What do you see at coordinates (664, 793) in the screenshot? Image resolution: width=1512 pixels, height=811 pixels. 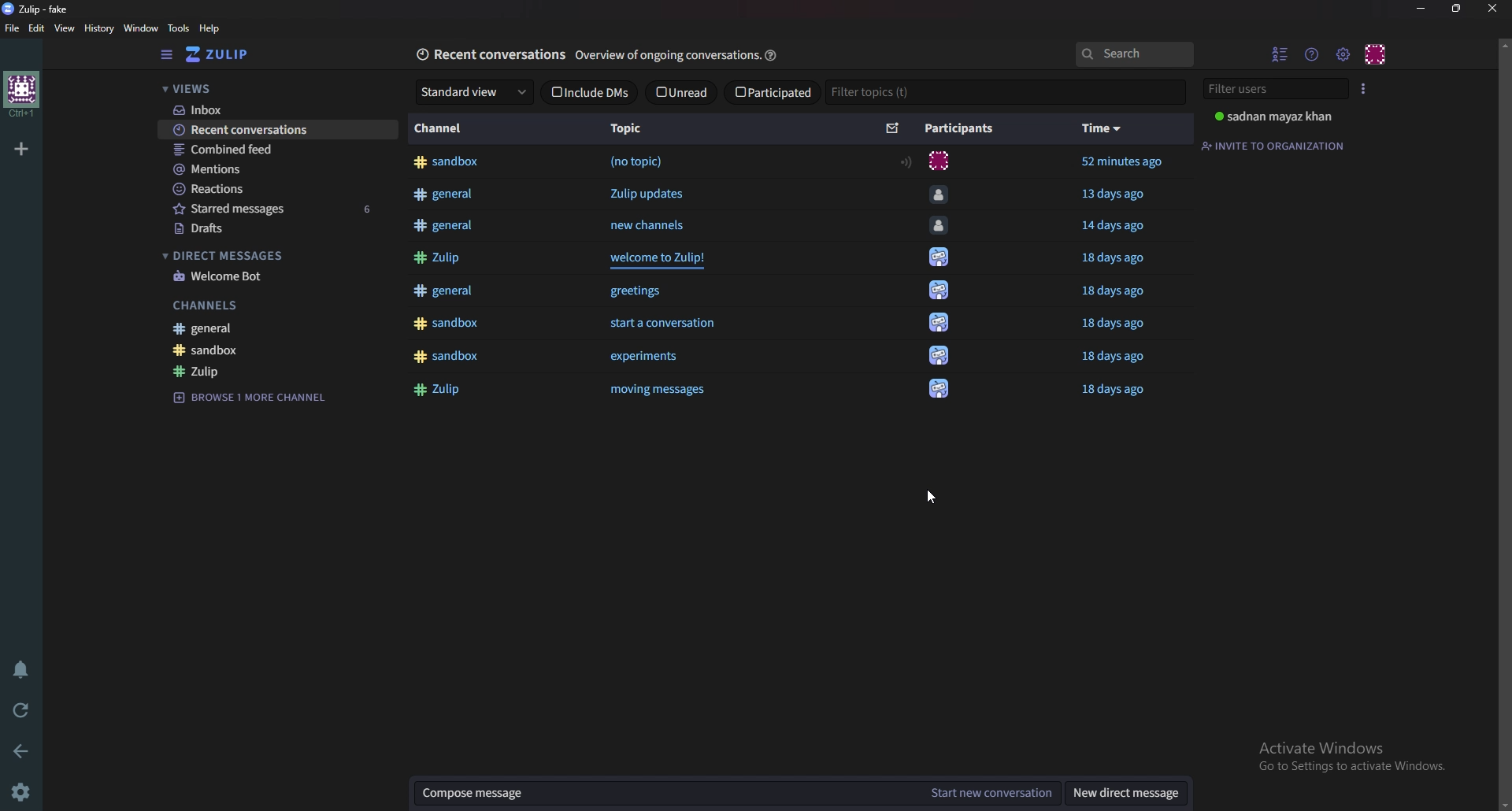 I see `Compose message` at bounding box center [664, 793].